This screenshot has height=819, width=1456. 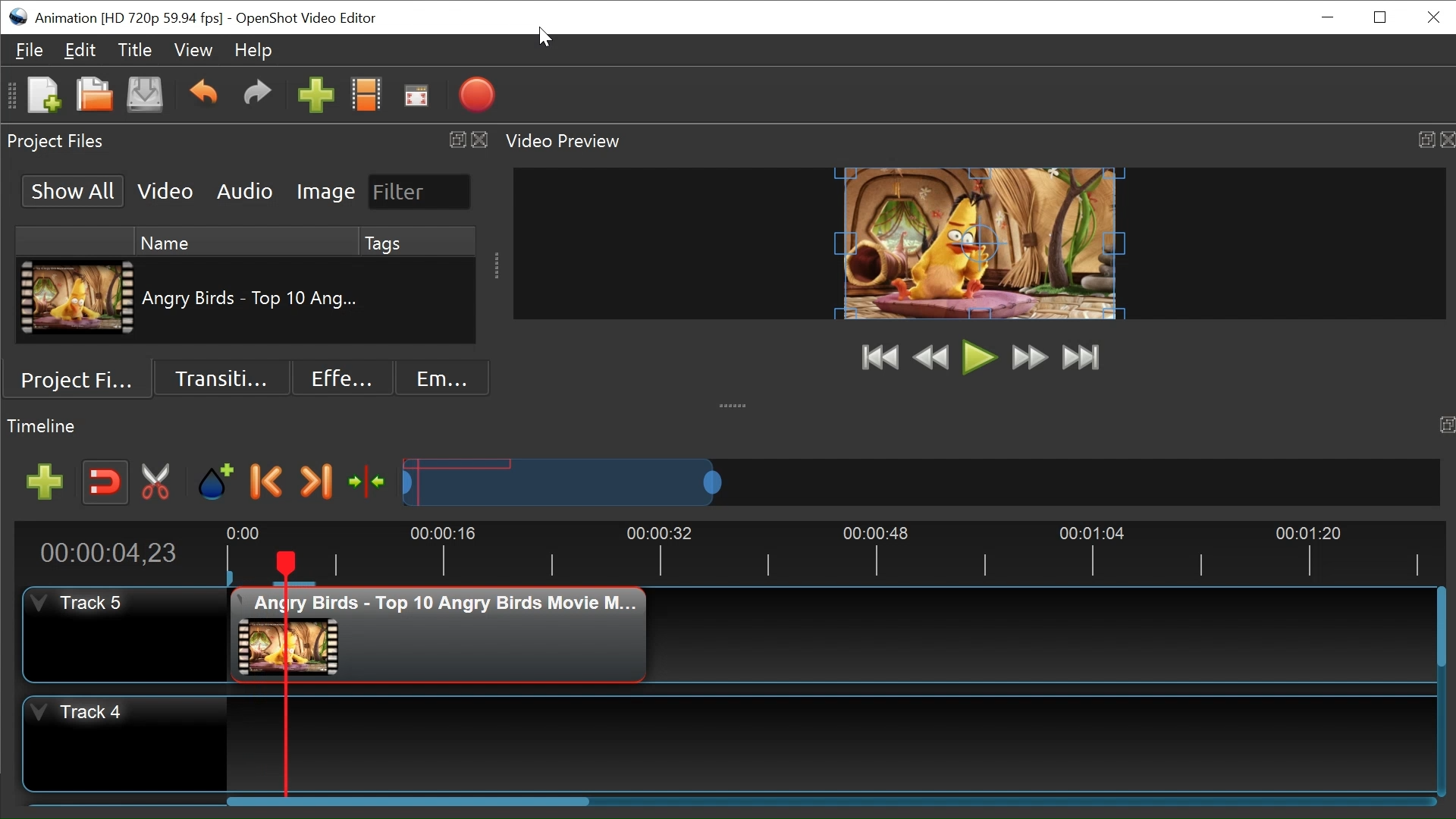 What do you see at coordinates (825, 553) in the screenshot?
I see `Timeline` at bounding box center [825, 553].